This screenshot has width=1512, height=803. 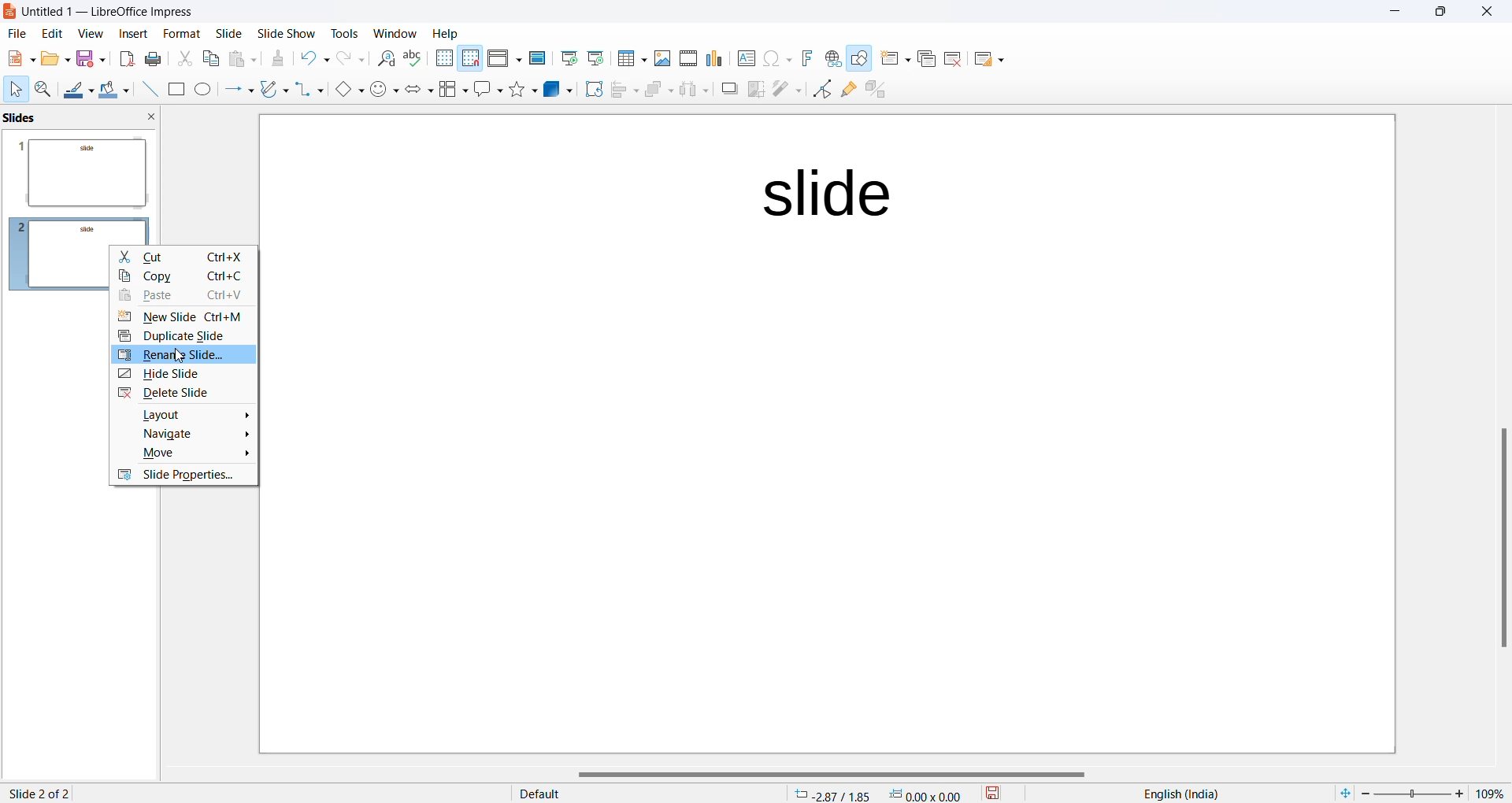 What do you see at coordinates (1493, 792) in the screenshot?
I see `zoom percentage` at bounding box center [1493, 792].